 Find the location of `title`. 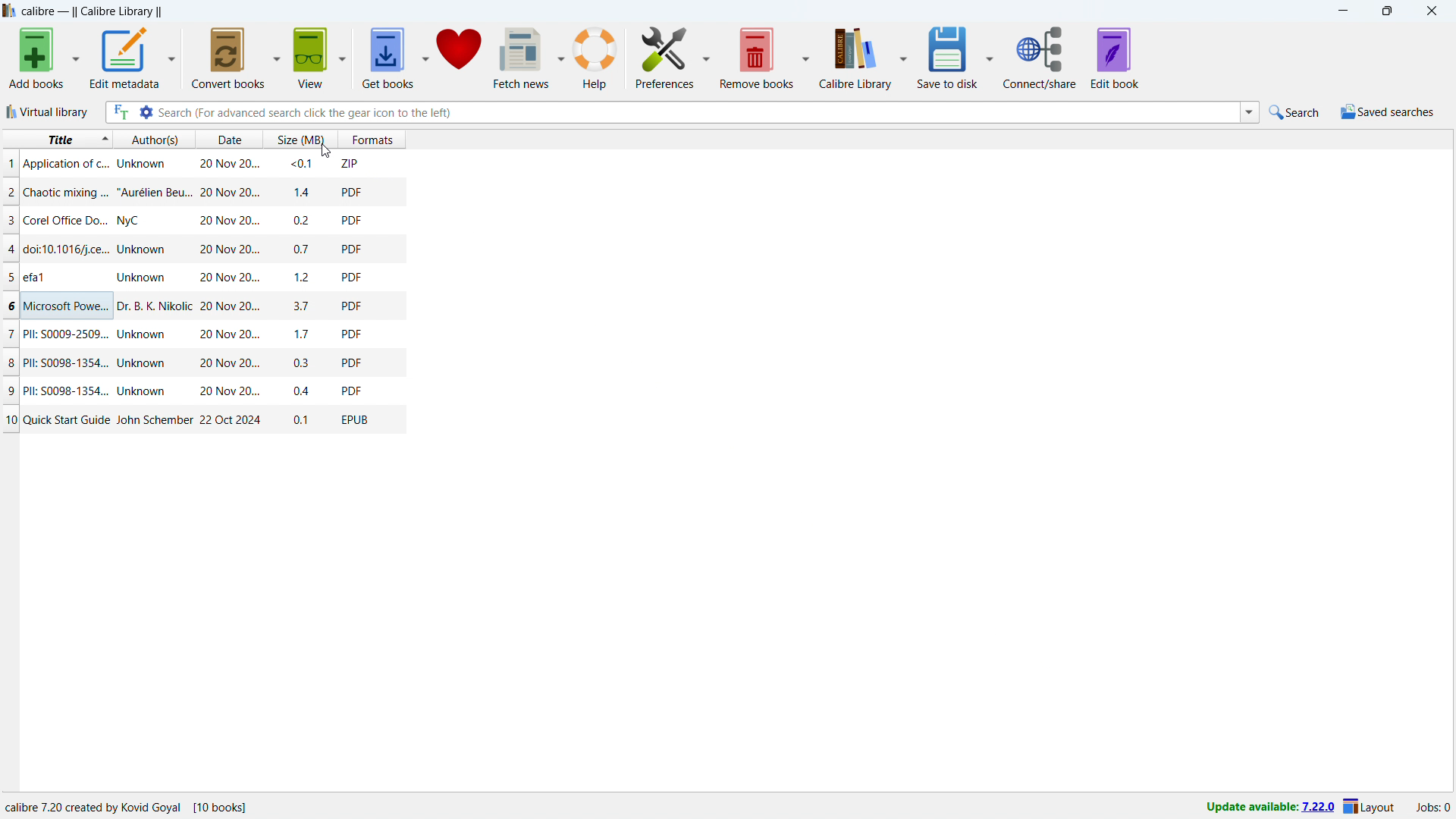

title is located at coordinates (67, 419).